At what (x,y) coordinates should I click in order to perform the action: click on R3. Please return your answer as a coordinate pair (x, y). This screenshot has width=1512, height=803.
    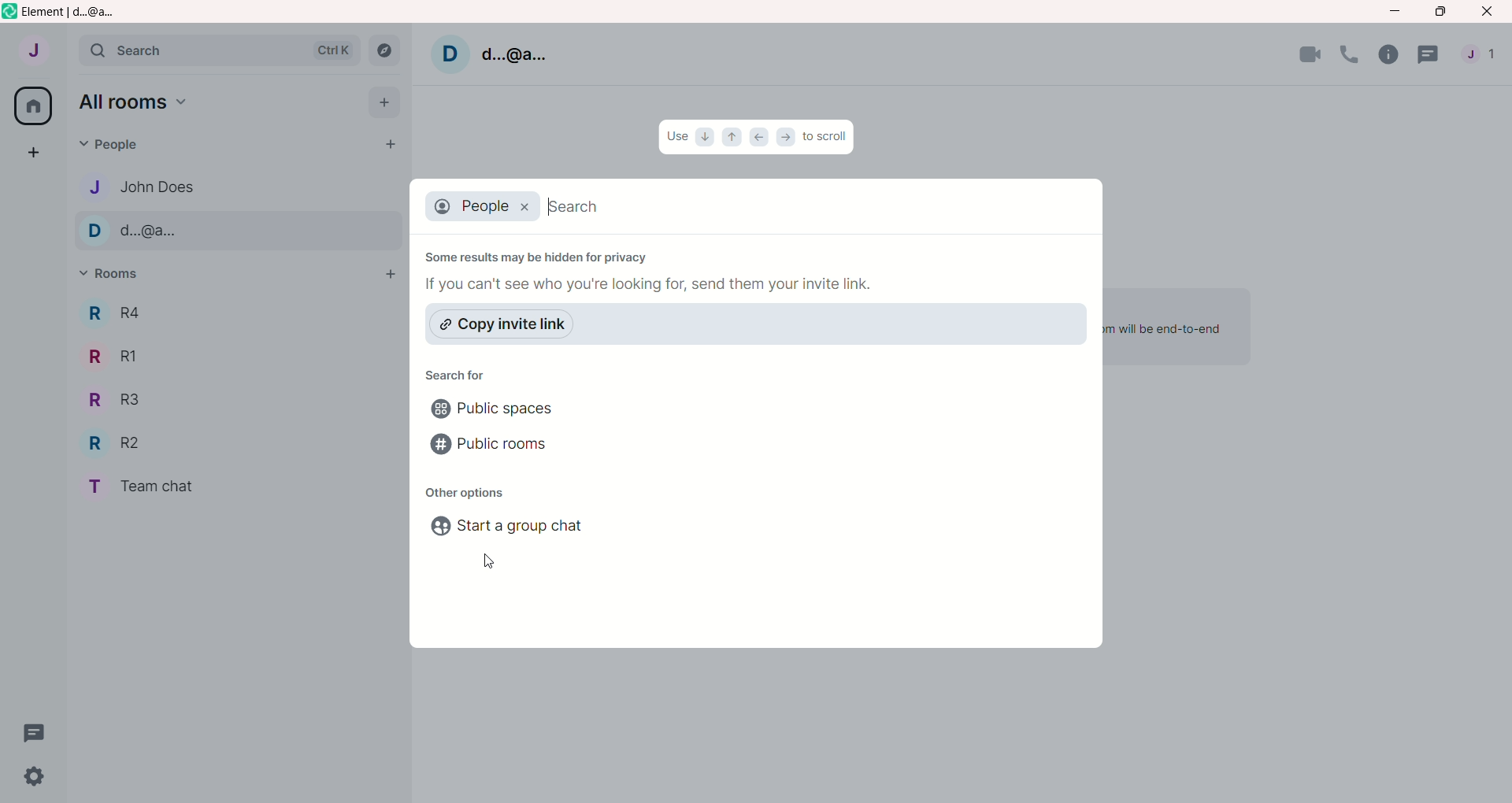
    Looking at the image, I should click on (113, 401).